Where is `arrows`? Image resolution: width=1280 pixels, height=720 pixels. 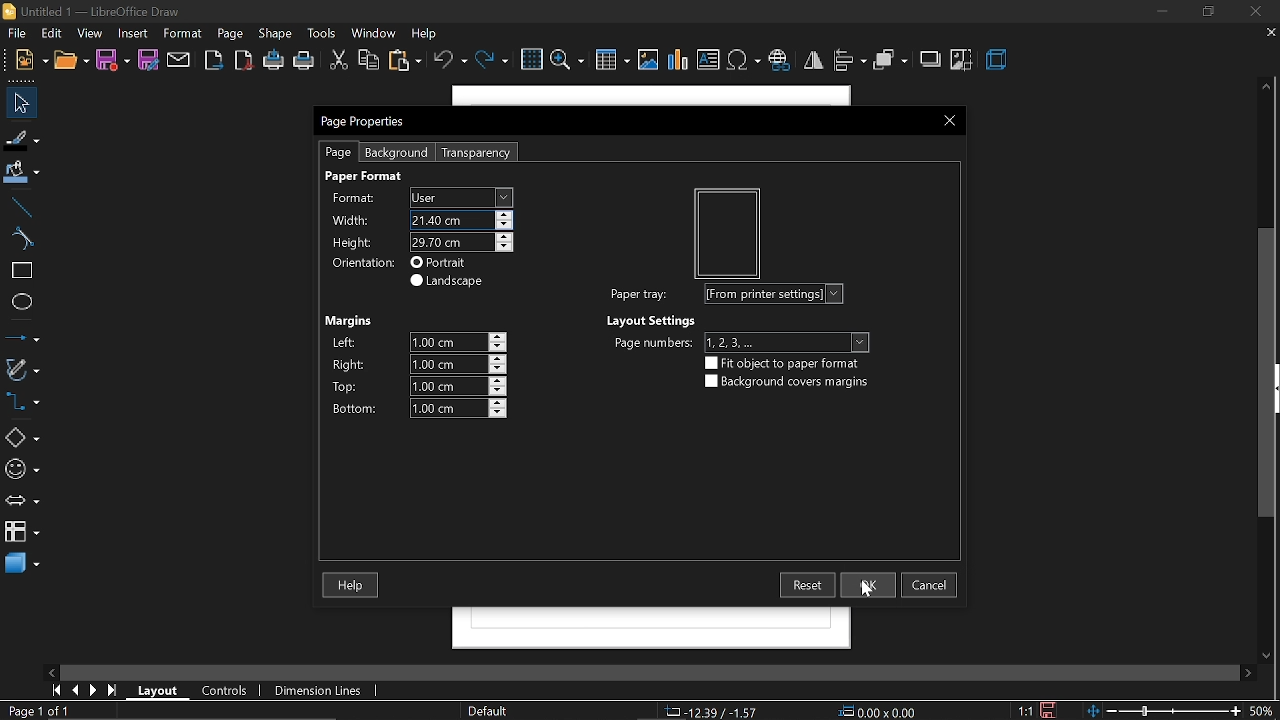
arrows is located at coordinates (23, 502).